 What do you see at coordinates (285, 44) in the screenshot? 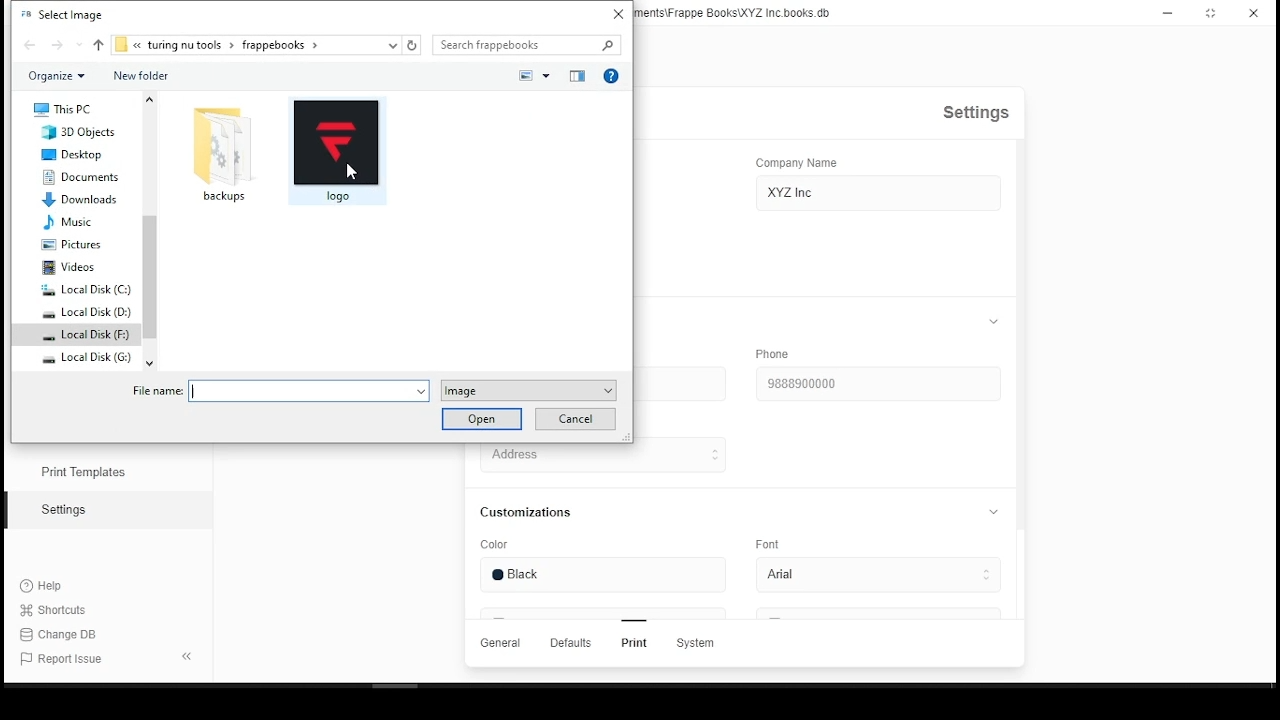
I see `frappebooks` at bounding box center [285, 44].